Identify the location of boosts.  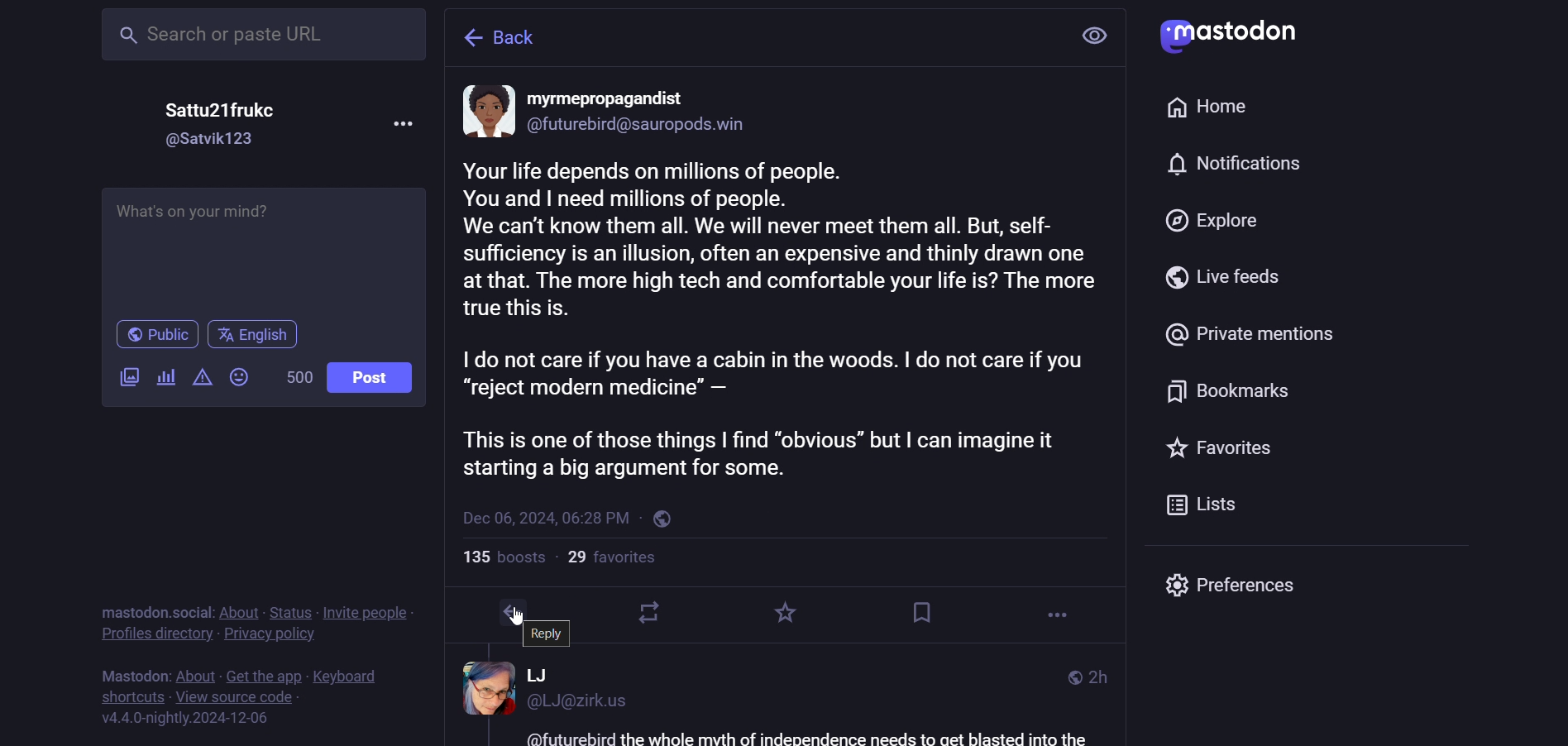
(502, 557).